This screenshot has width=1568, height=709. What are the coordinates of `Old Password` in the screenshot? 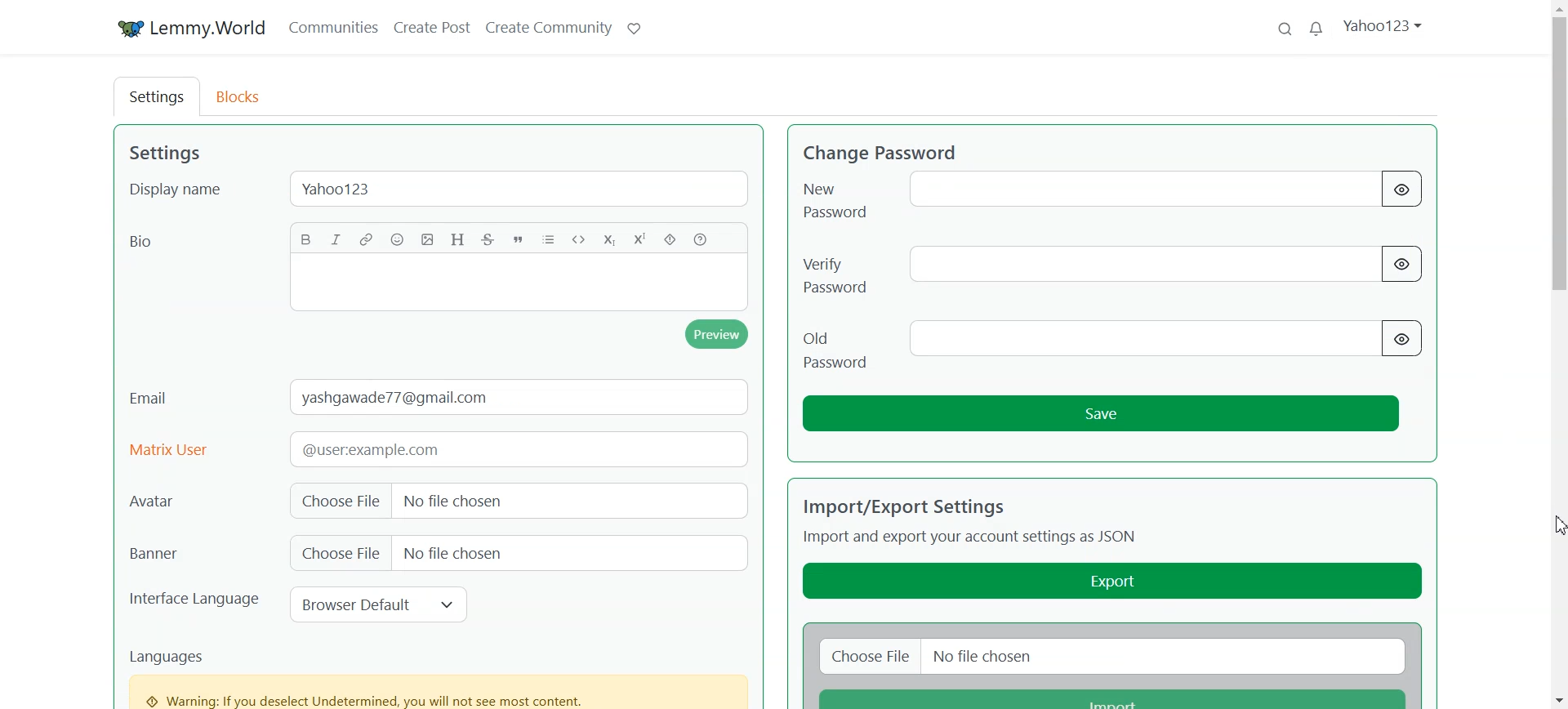 It's located at (831, 342).